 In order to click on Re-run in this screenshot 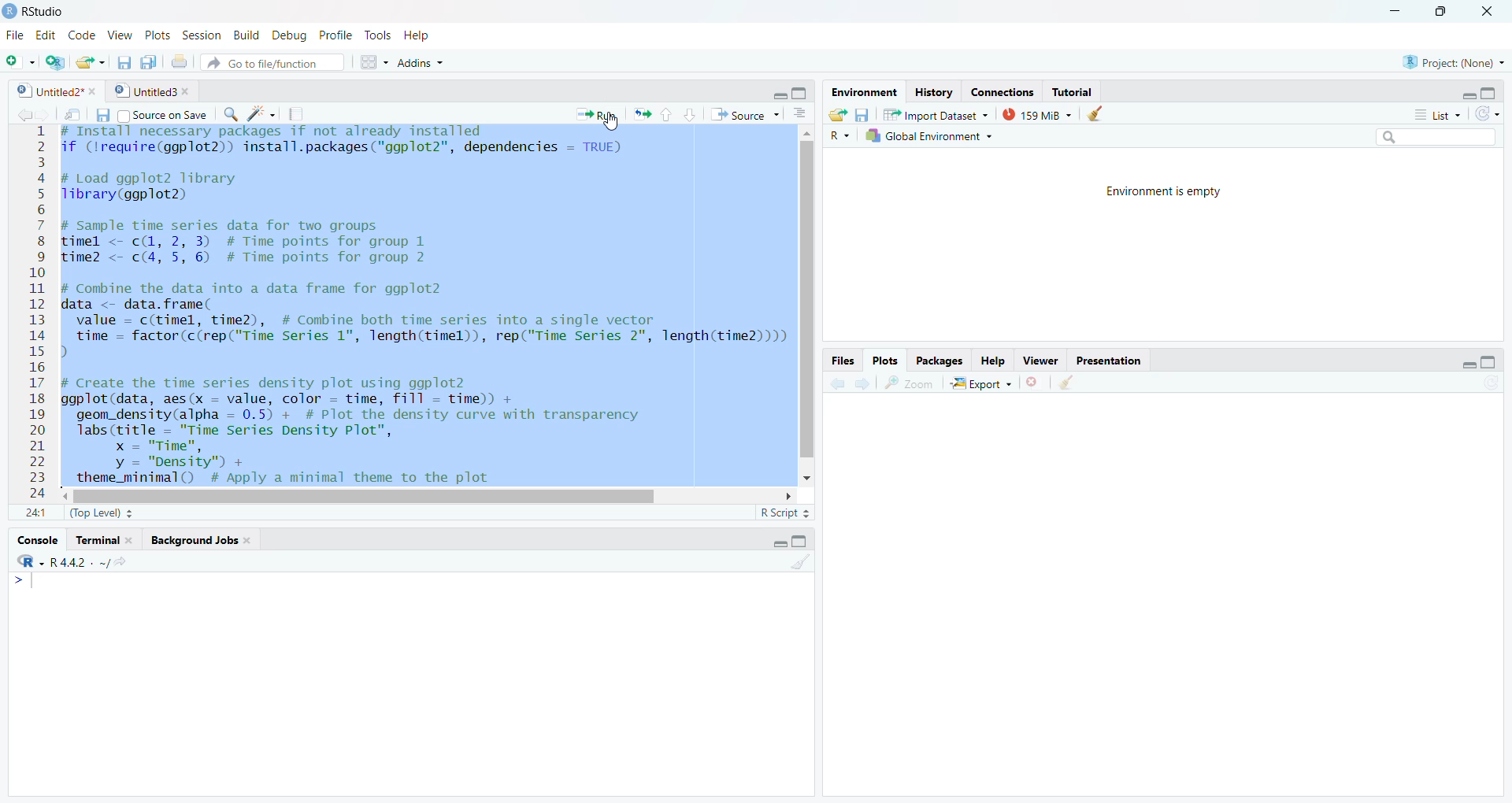, I will do `click(641, 113)`.